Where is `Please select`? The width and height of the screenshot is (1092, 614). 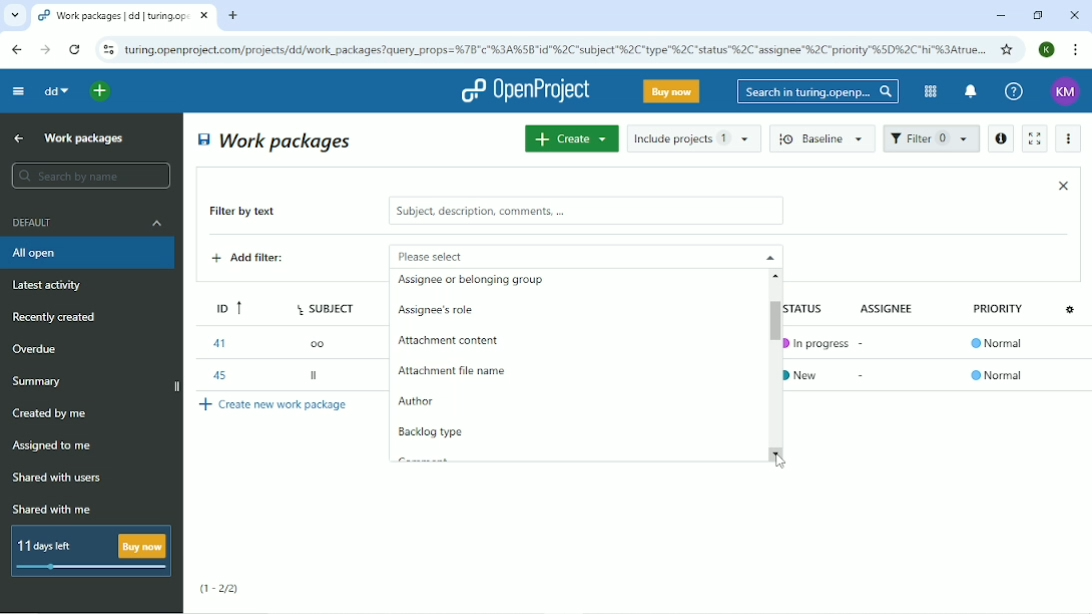 Please select is located at coordinates (558, 255).